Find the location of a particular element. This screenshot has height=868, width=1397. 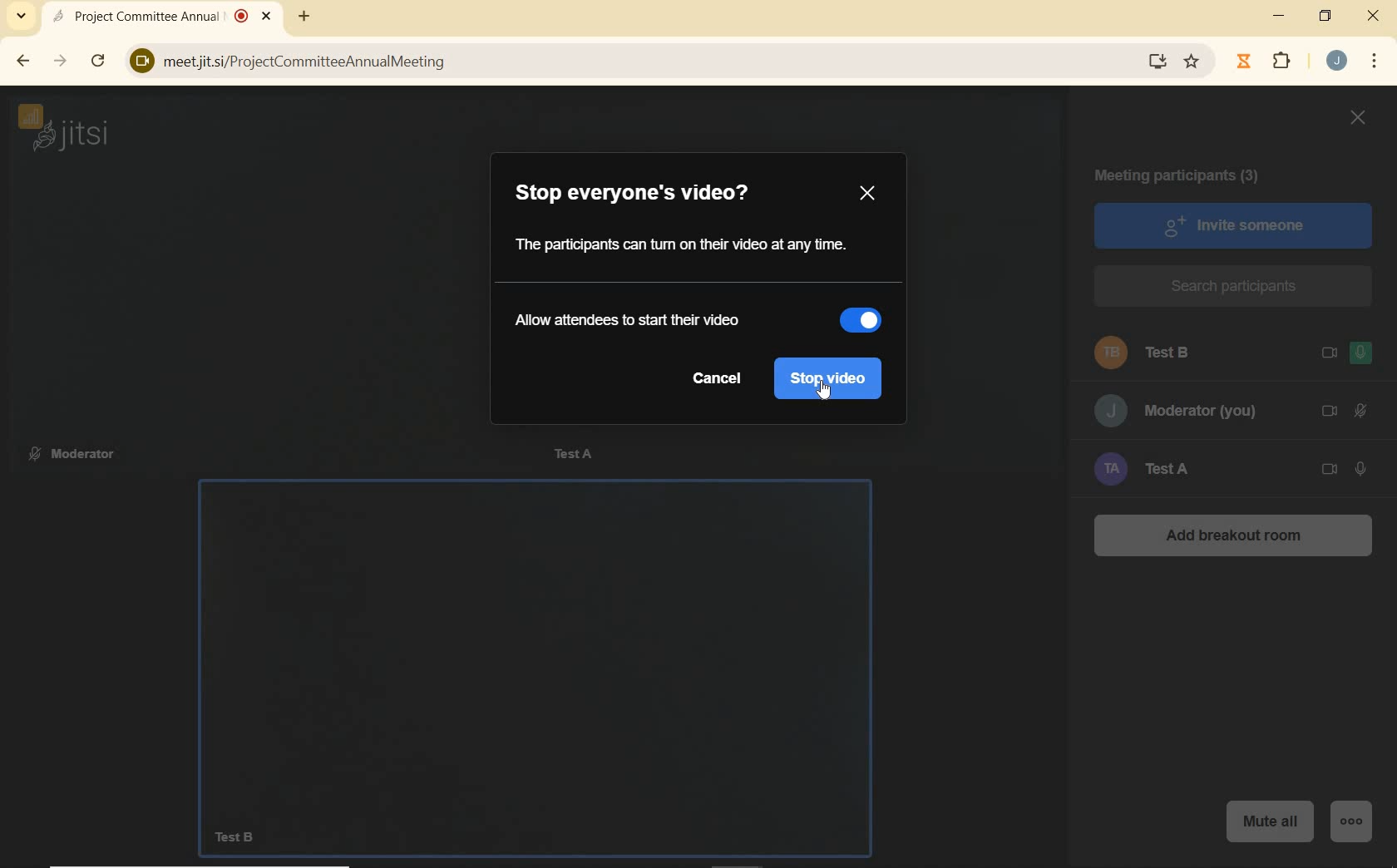

MEETING PARTICIPANTS (3) is located at coordinates (1188, 175).